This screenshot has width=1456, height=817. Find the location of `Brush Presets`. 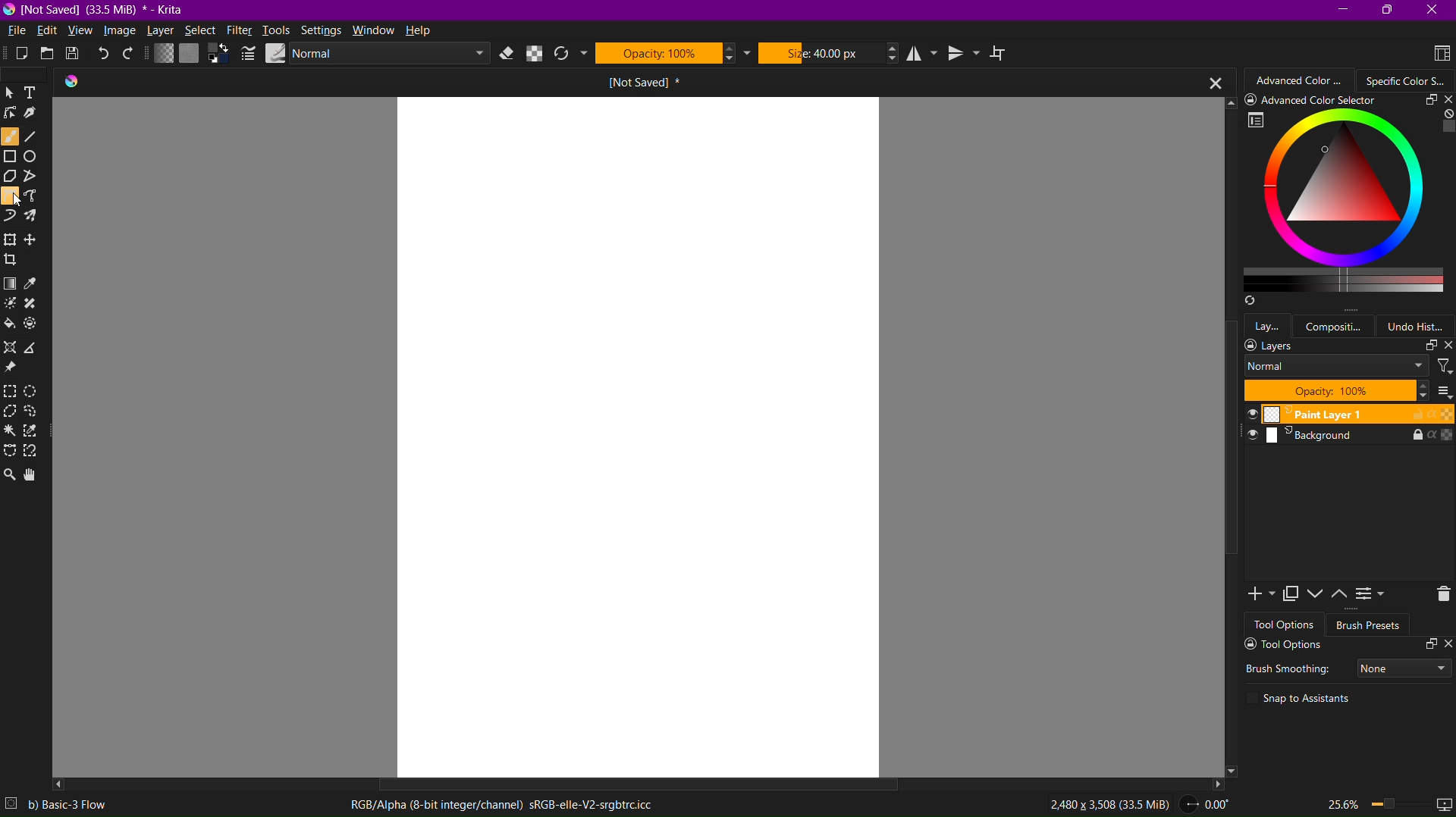

Brush Presets is located at coordinates (1370, 625).